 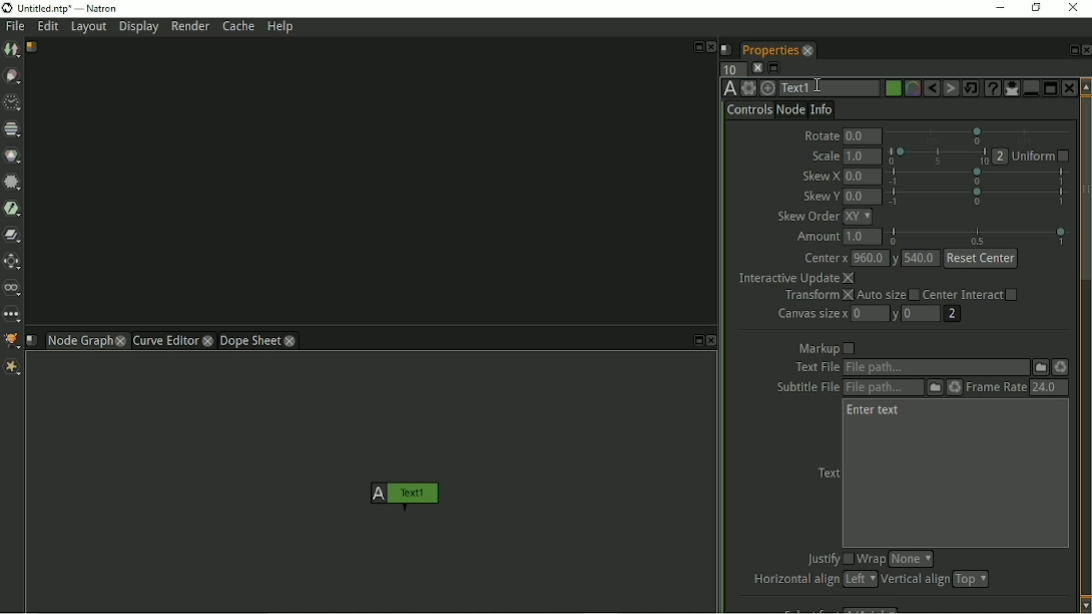 What do you see at coordinates (817, 296) in the screenshot?
I see `Transform` at bounding box center [817, 296].